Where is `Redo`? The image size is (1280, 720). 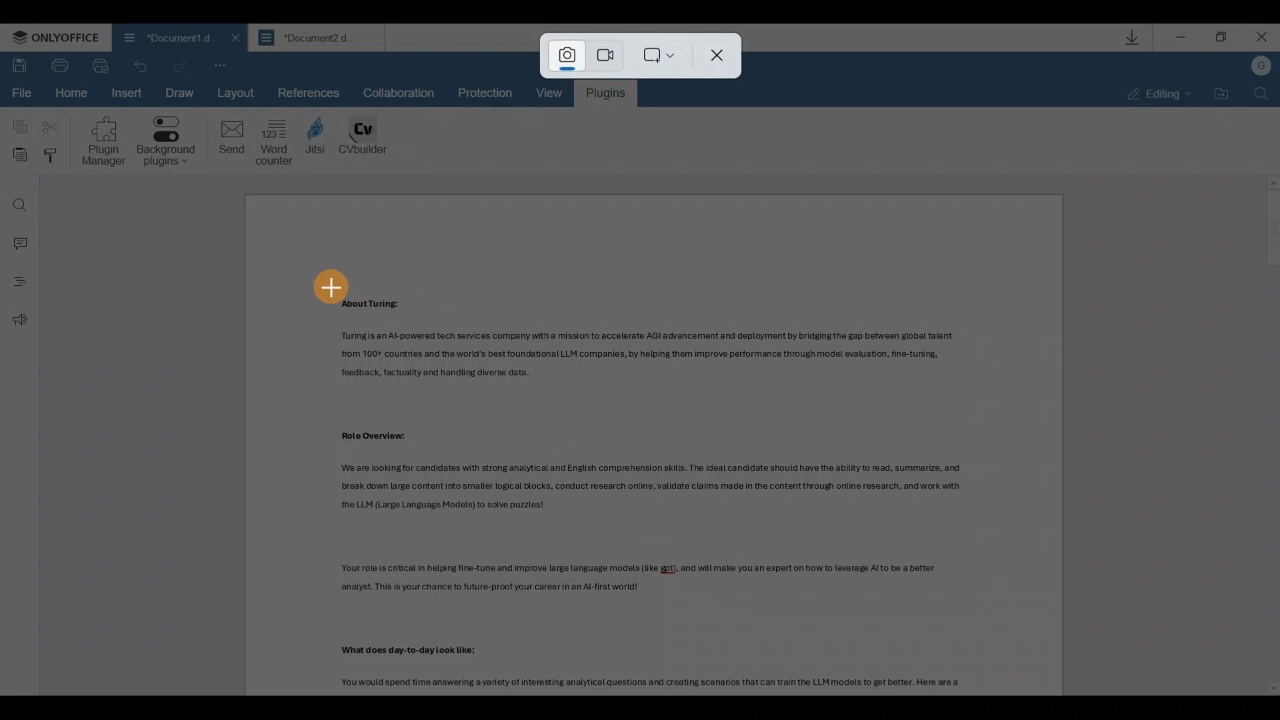 Redo is located at coordinates (143, 64).